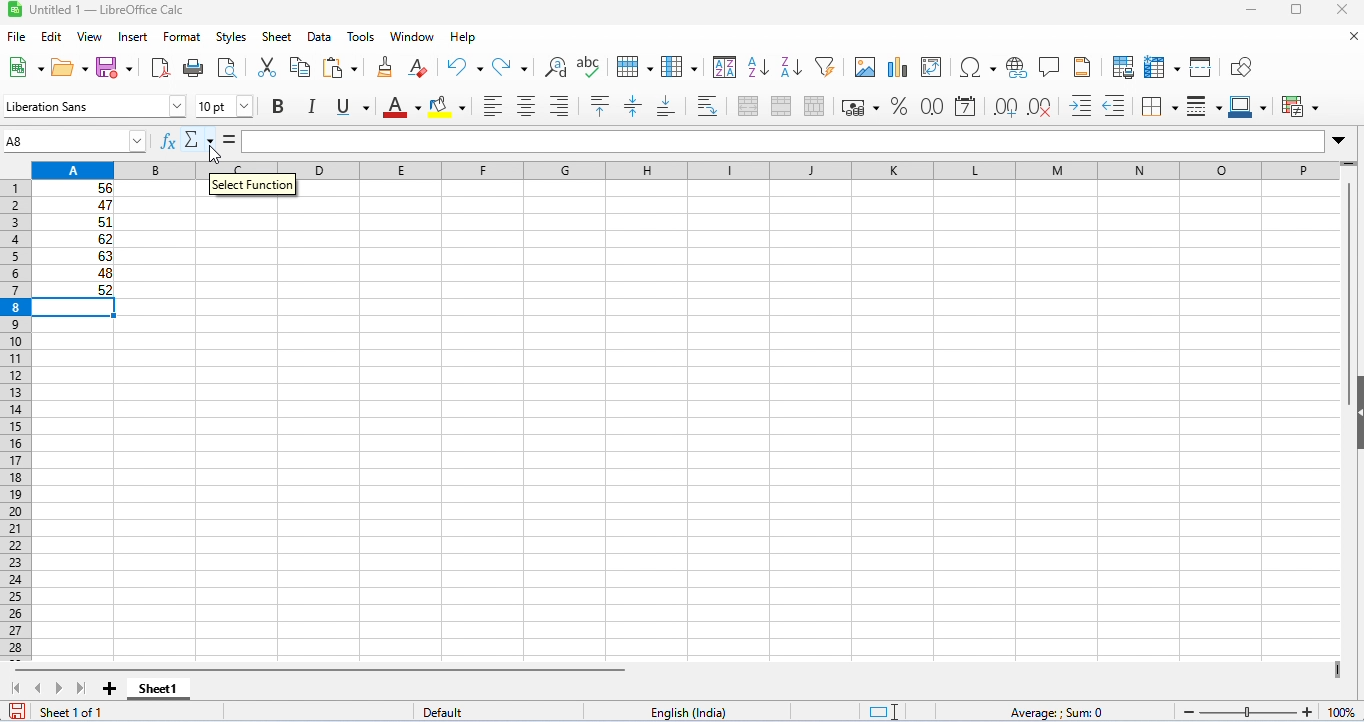 The image size is (1364, 722). Describe the element at coordinates (590, 66) in the screenshot. I see `spelling` at that location.